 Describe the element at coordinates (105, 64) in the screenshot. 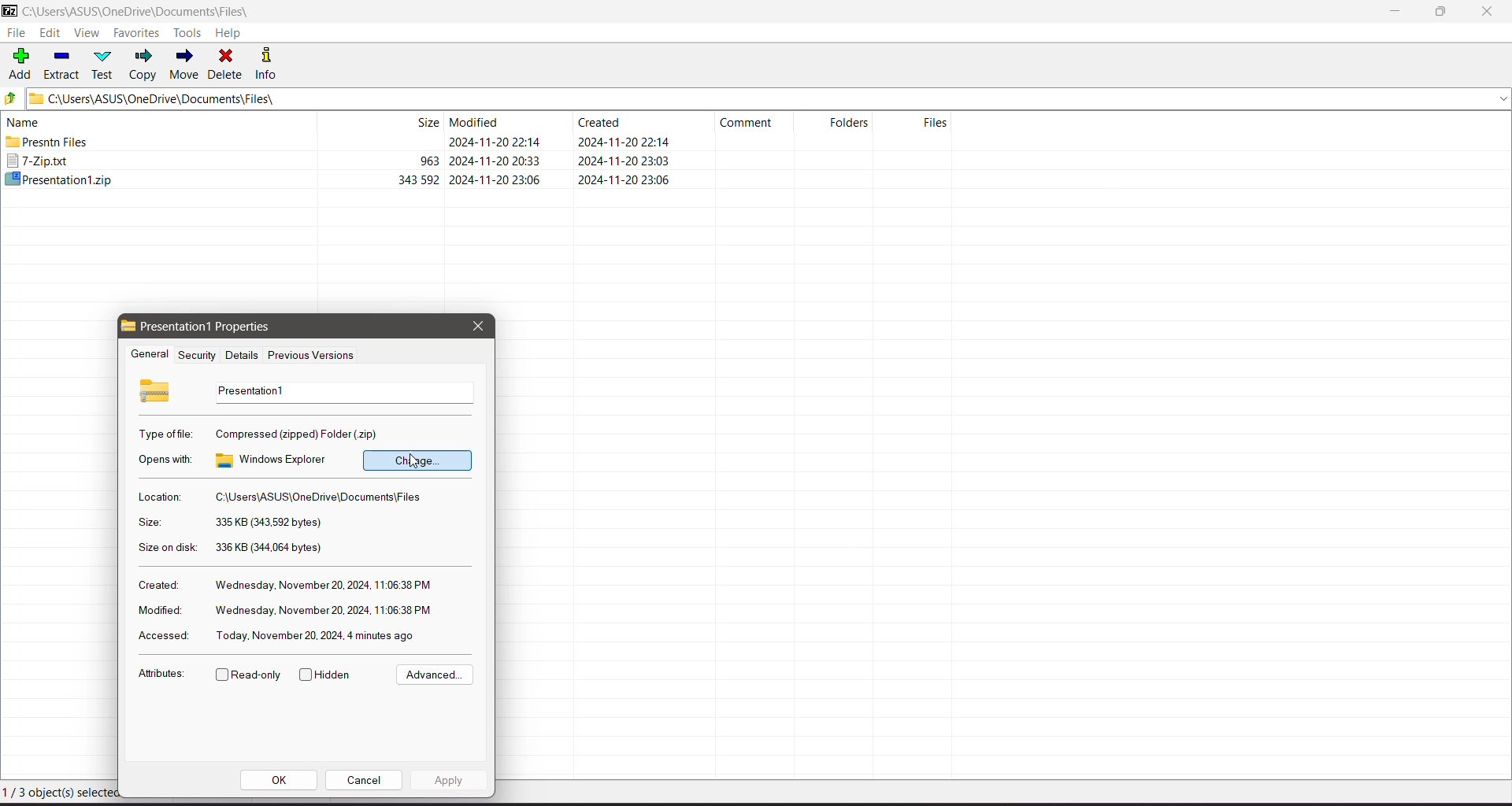

I see `Test` at that location.